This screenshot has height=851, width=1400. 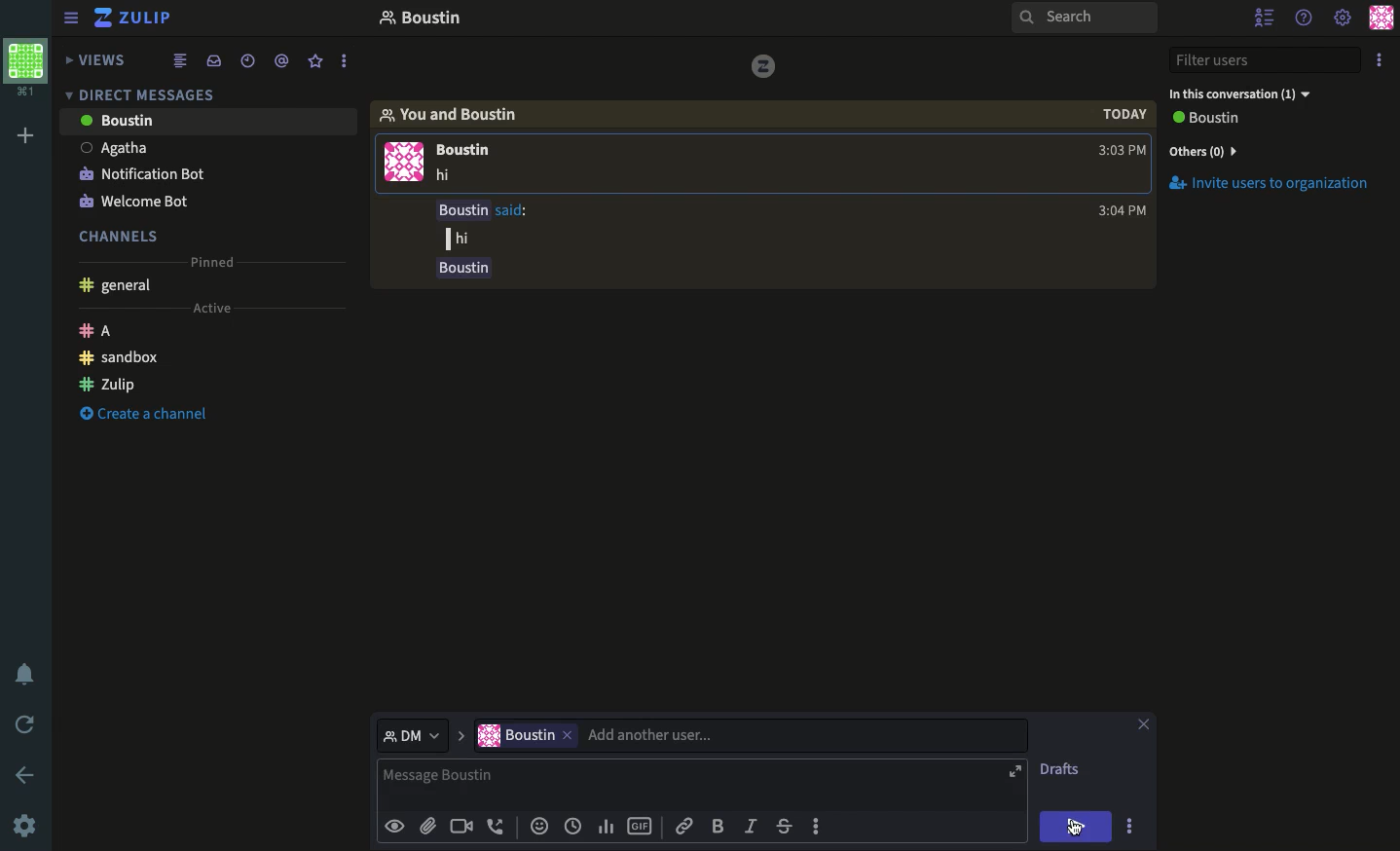 I want to click on Zulip, so click(x=133, y=18).